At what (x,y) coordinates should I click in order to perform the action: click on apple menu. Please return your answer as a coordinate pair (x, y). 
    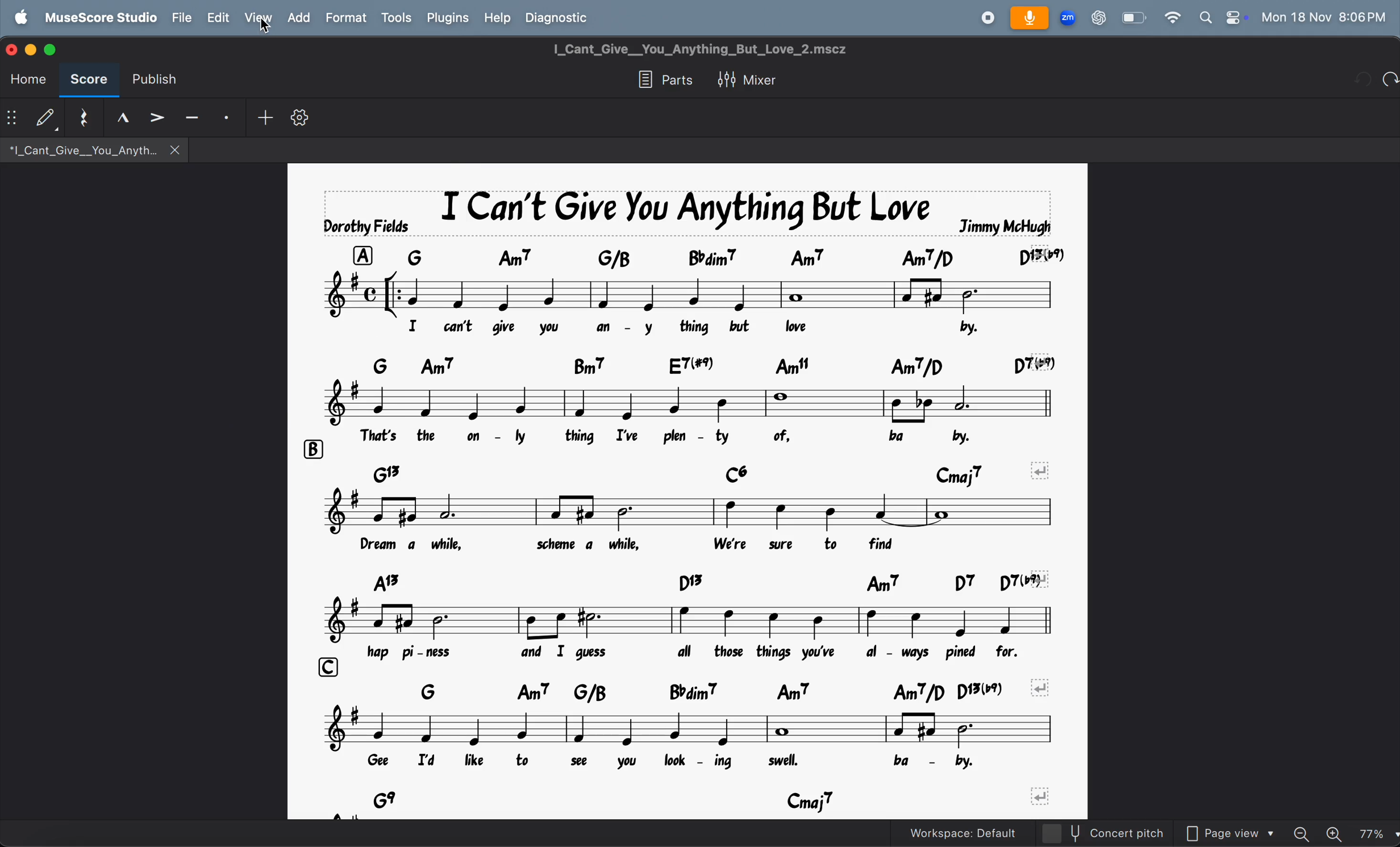
    Looking at the image, I should click on (18, 18).